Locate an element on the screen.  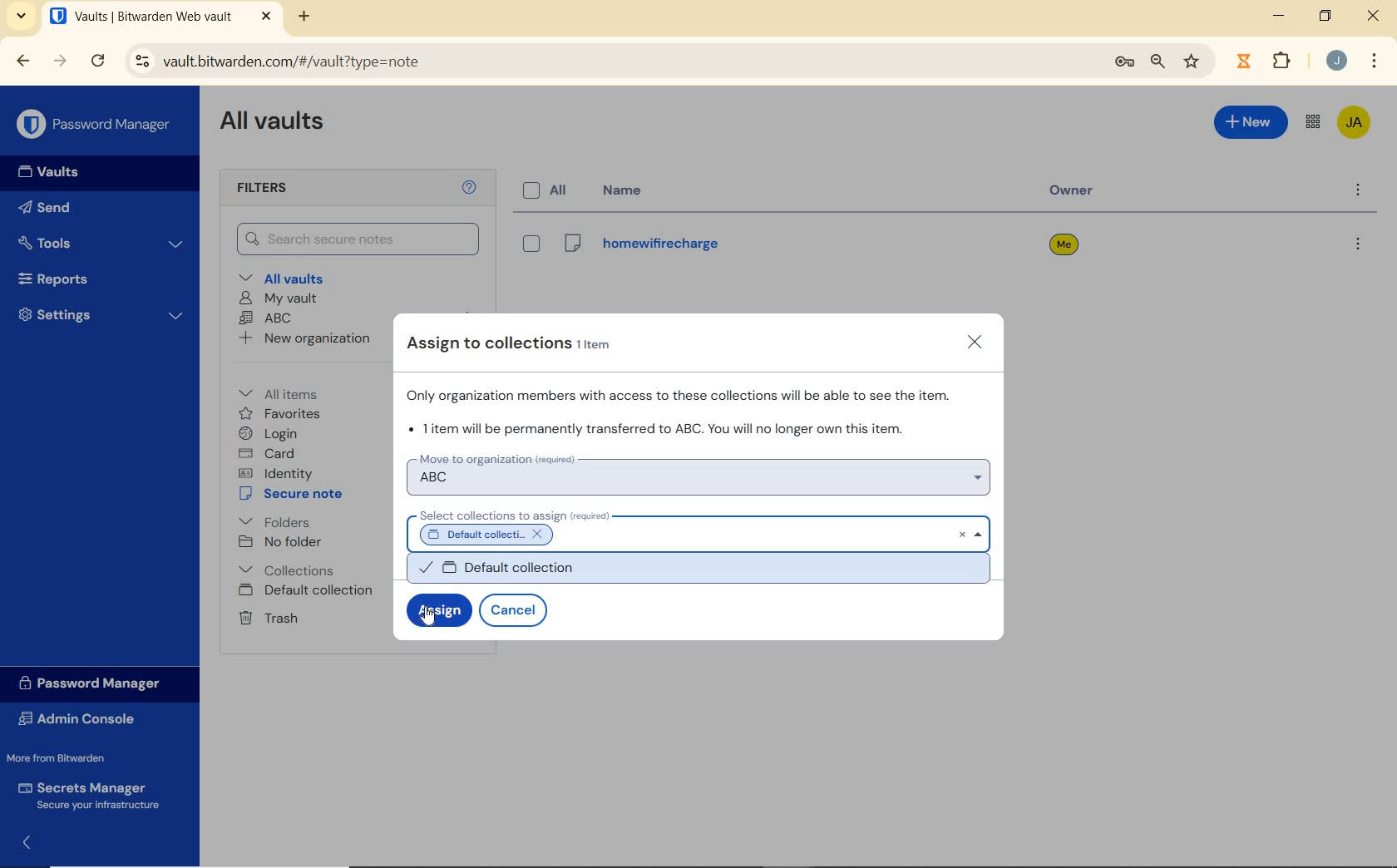
more options is located at coordinates (1356, 191).